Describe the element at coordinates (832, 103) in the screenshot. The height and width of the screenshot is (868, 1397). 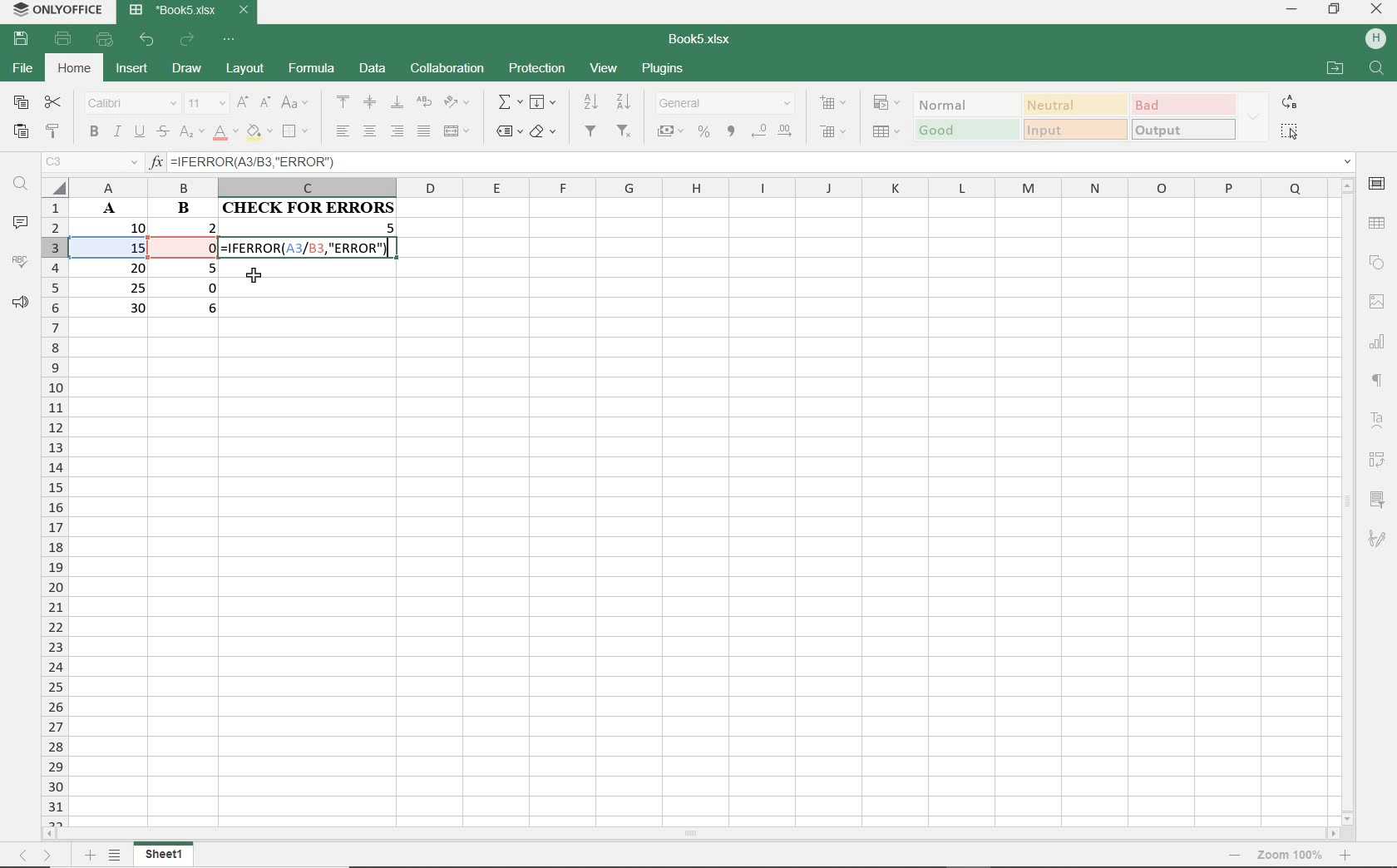
I see `INSERT CELLS` at that location.